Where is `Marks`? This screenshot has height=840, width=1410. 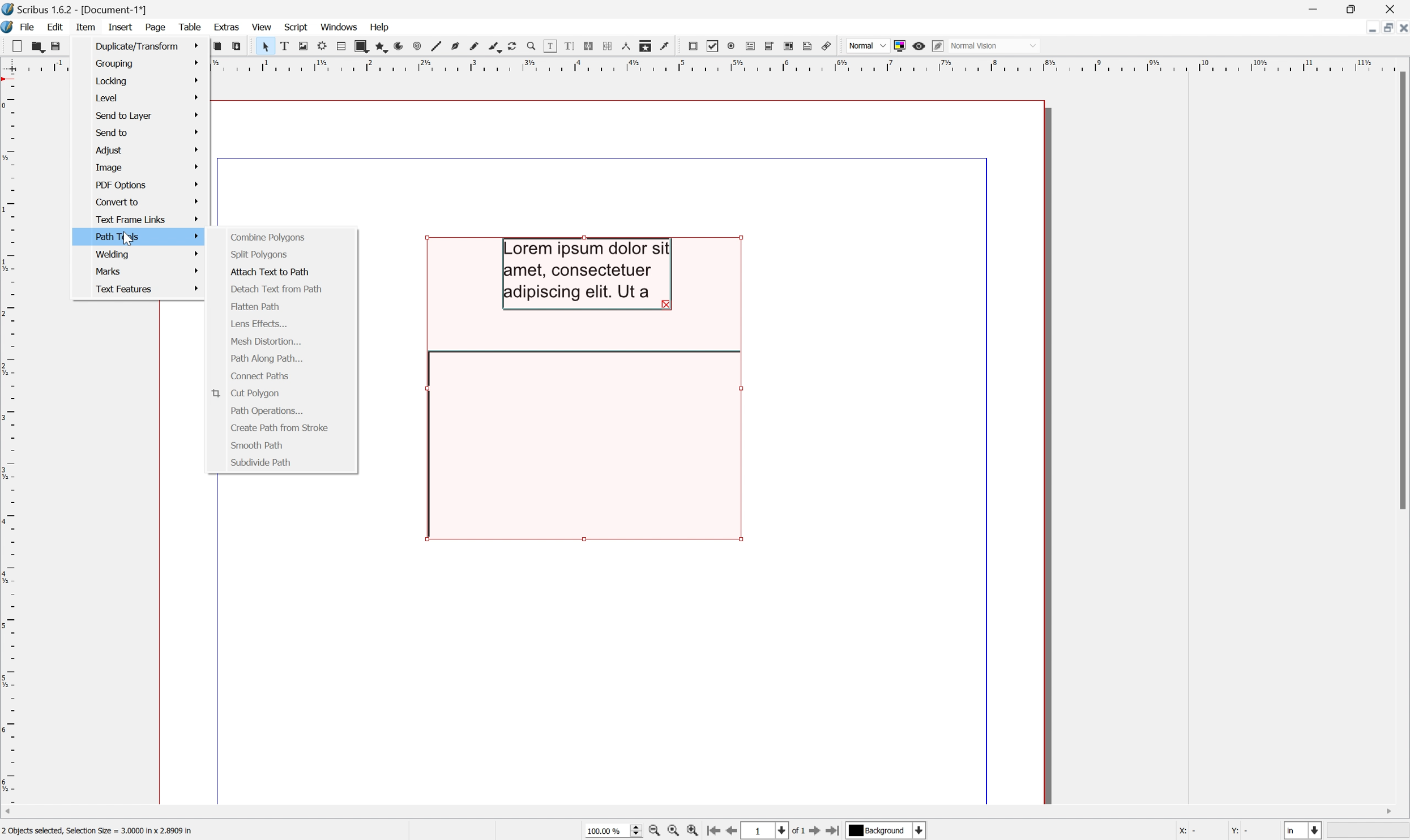
Marks is located at coordinates (149, 271).